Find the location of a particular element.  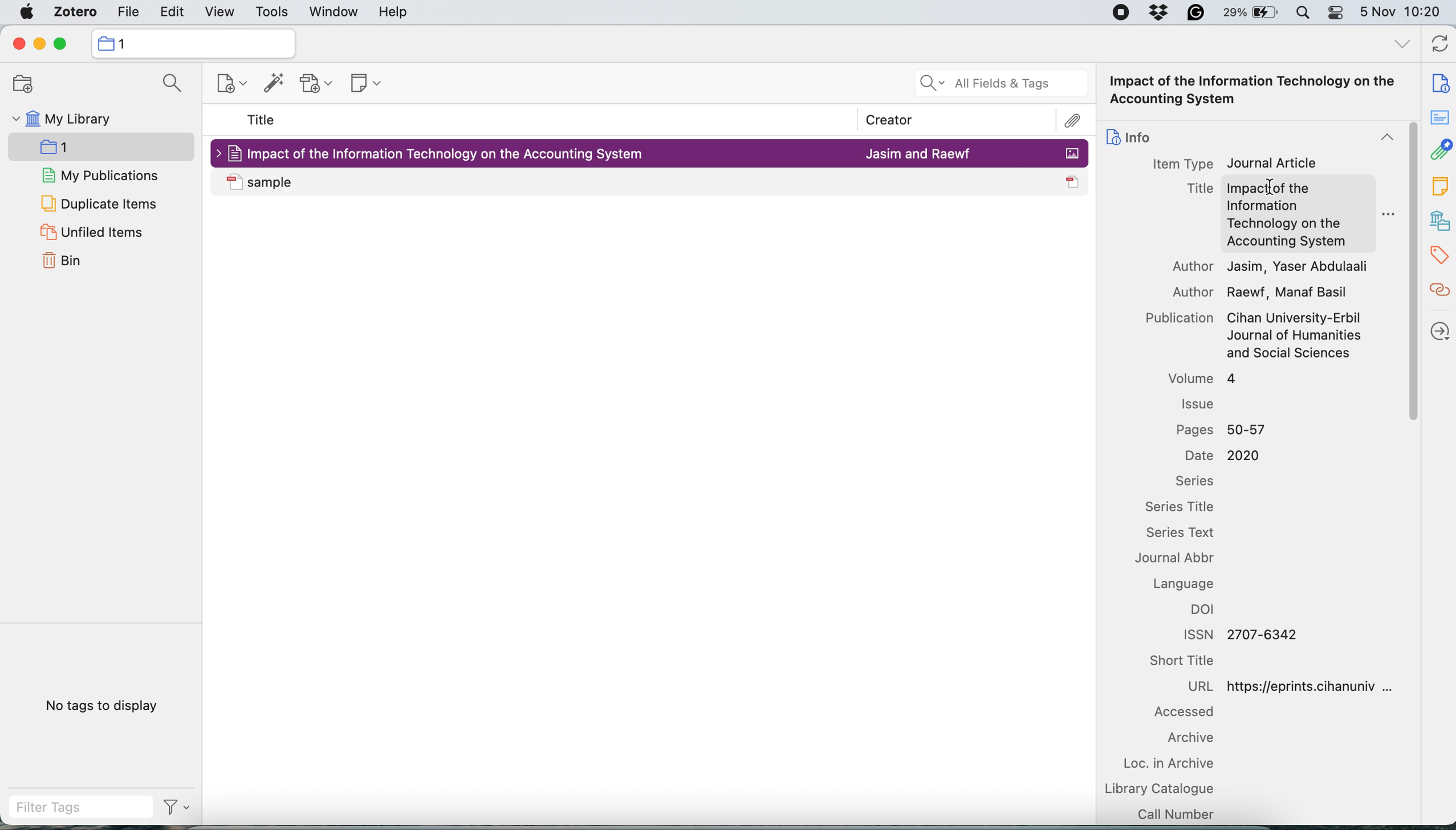

battery is located at coordinates (1252, 13).